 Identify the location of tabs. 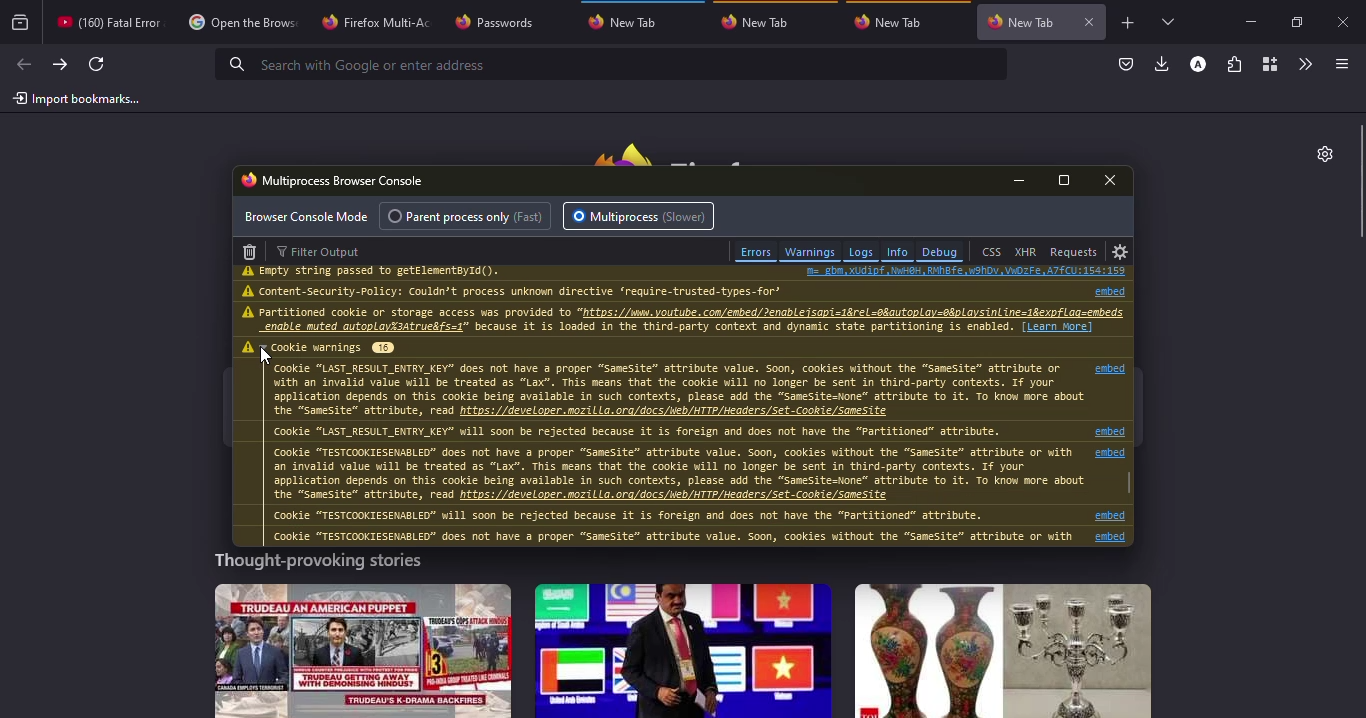
(1167, 22).